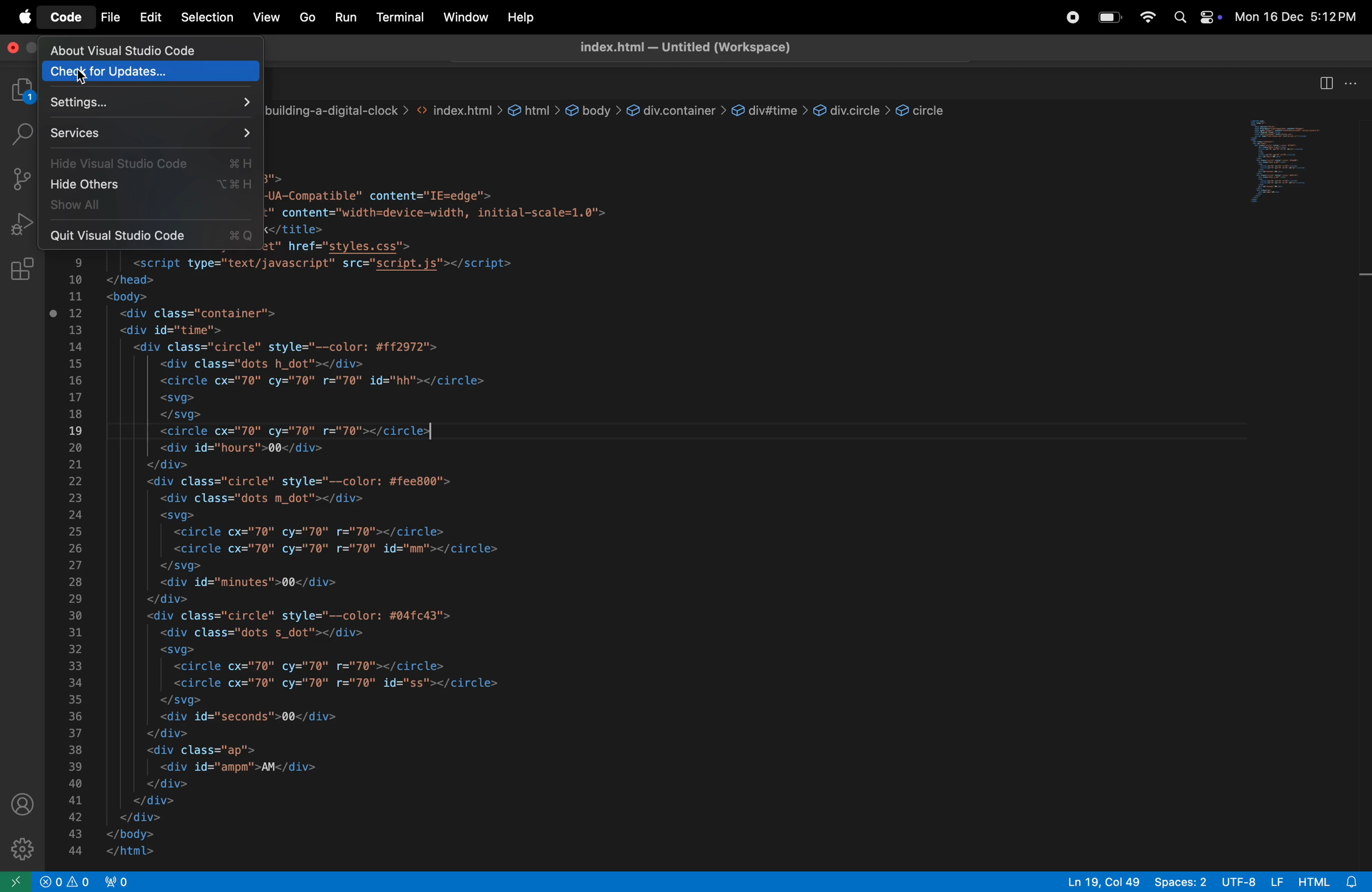 Image resolution: width=1372 pixels, height=892 pixels. Describe the element at coordinates (206, 750) in the screenshot. I see `<div class="ap">` at that location.